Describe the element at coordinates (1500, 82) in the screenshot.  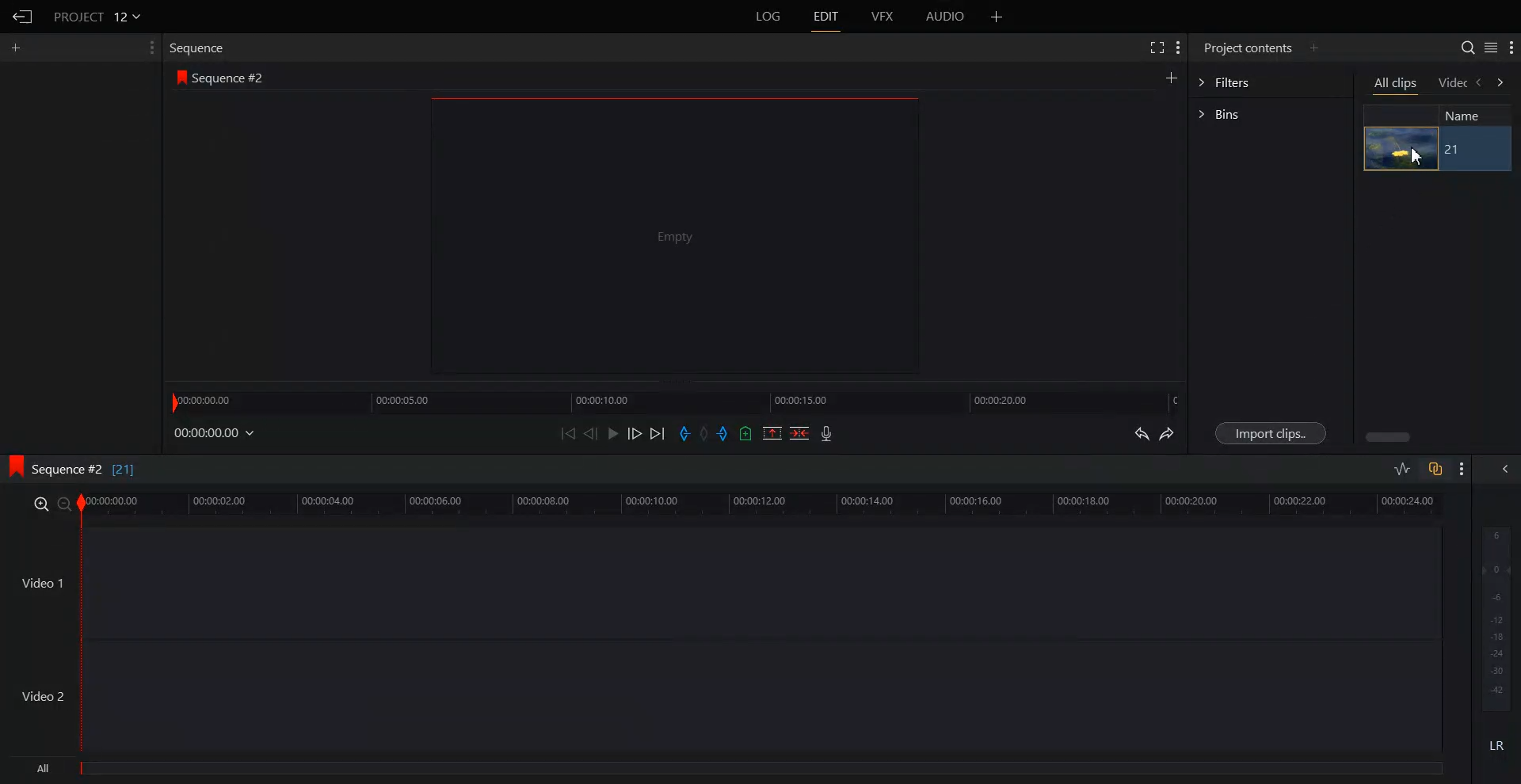
I see `Move forwaars` at that location.